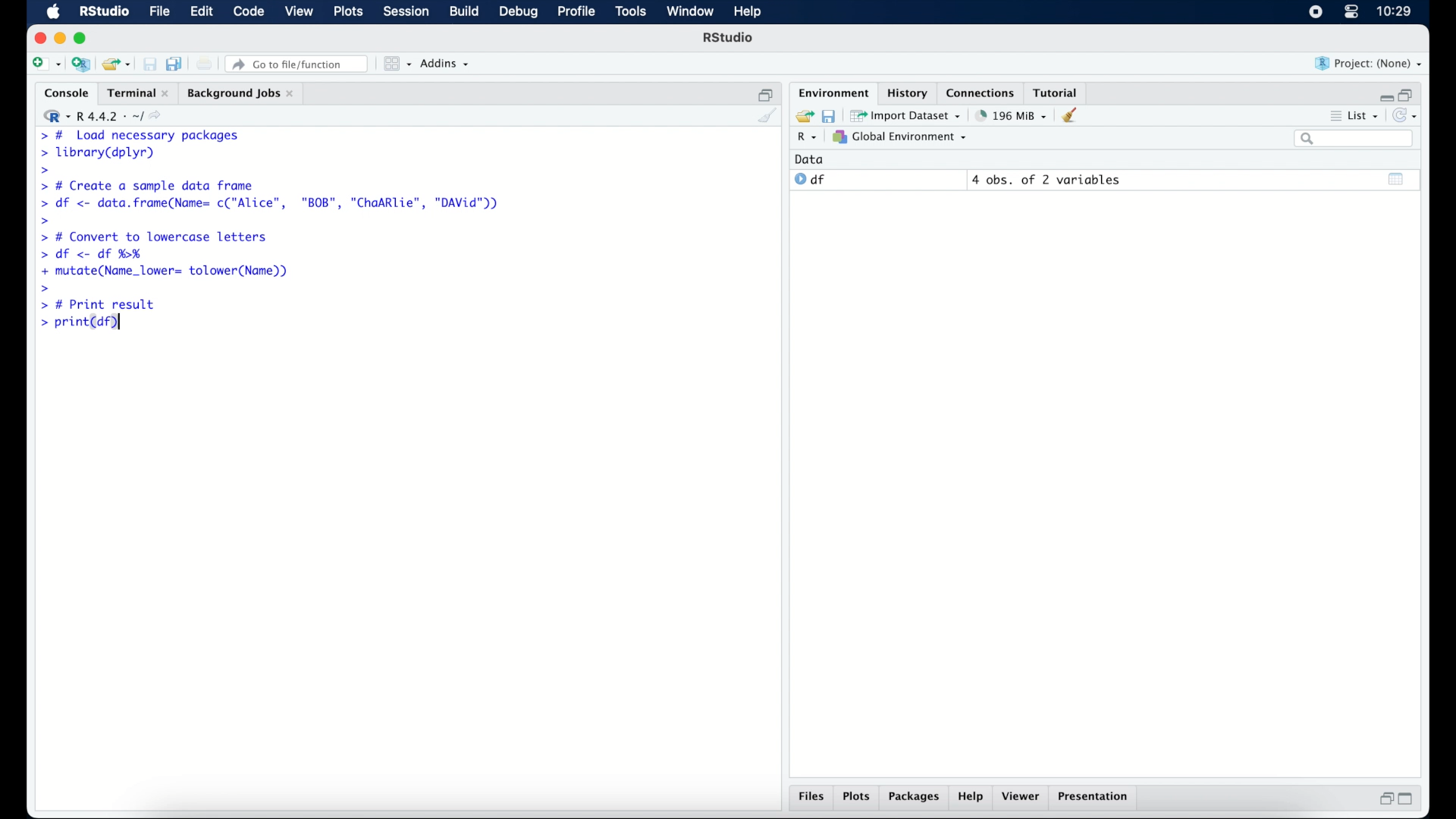 The width and height of the screenshot is (1456, 819). What do you see at coordinates (811, 799) in the screenshot?
I see `files` at bounding box center [811, 799].